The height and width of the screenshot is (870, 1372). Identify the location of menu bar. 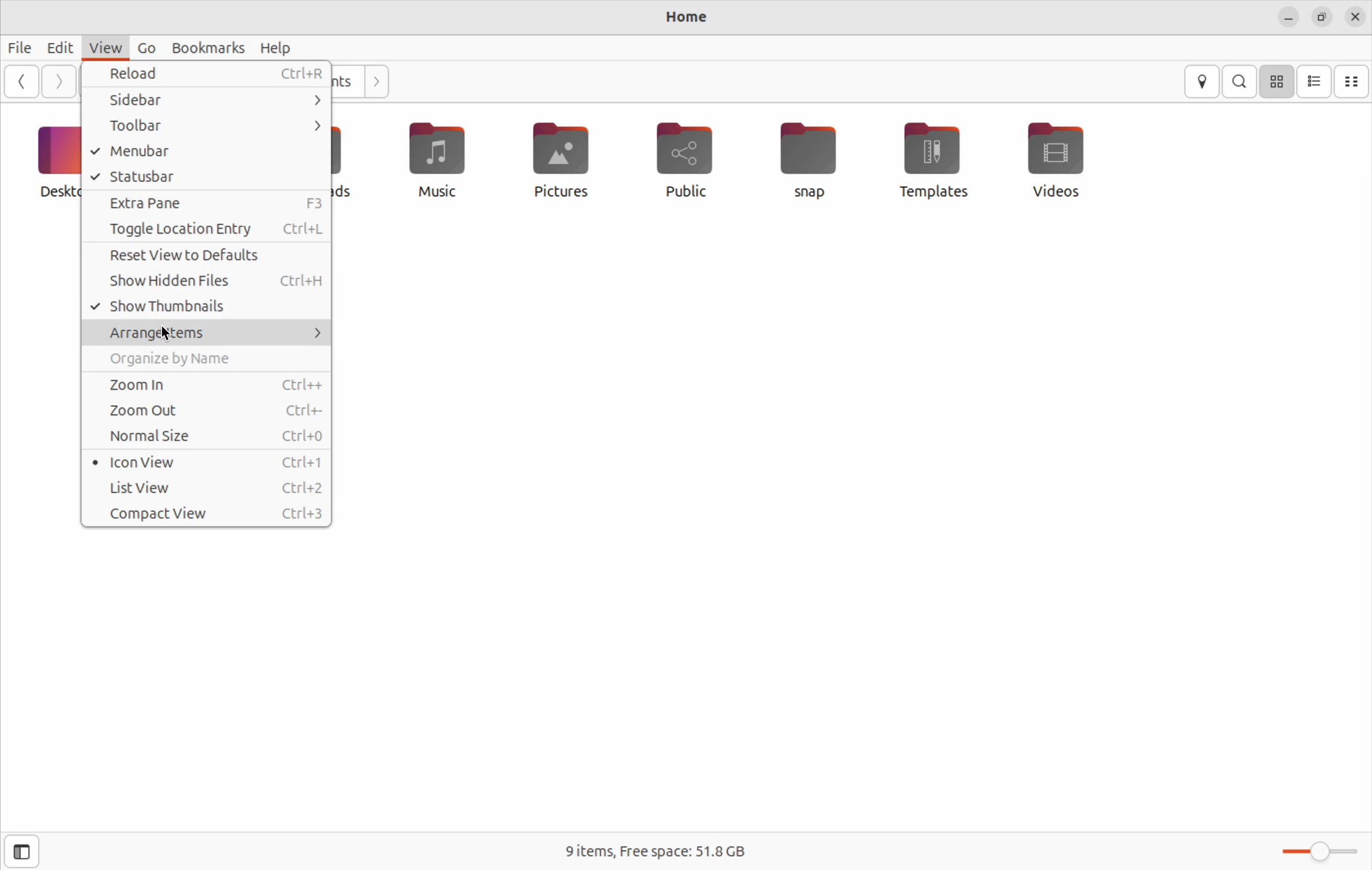
(209, 152).